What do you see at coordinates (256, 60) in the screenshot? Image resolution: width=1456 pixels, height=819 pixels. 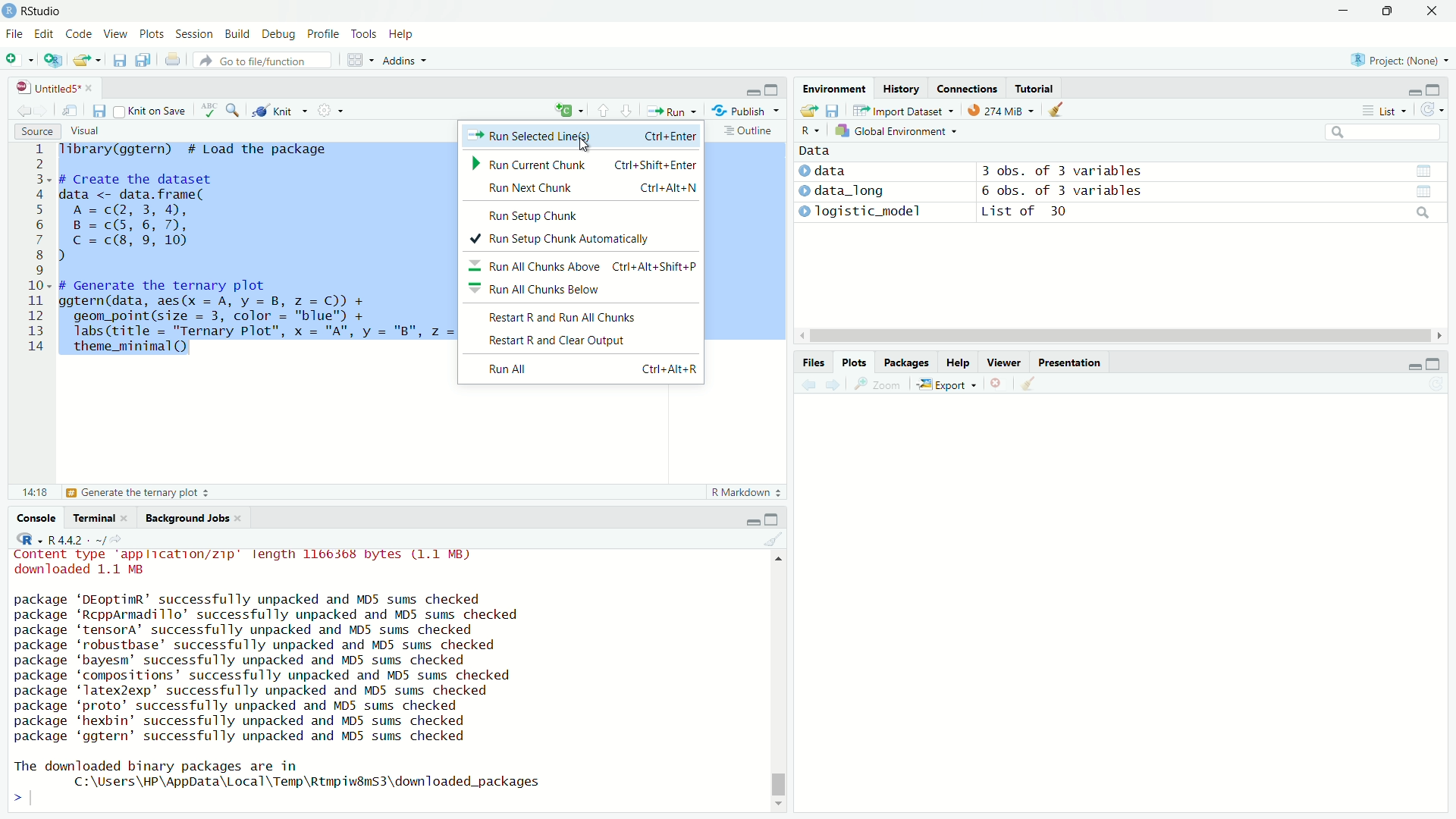 I see `Go to file/function` at bounding box center [256, 60].